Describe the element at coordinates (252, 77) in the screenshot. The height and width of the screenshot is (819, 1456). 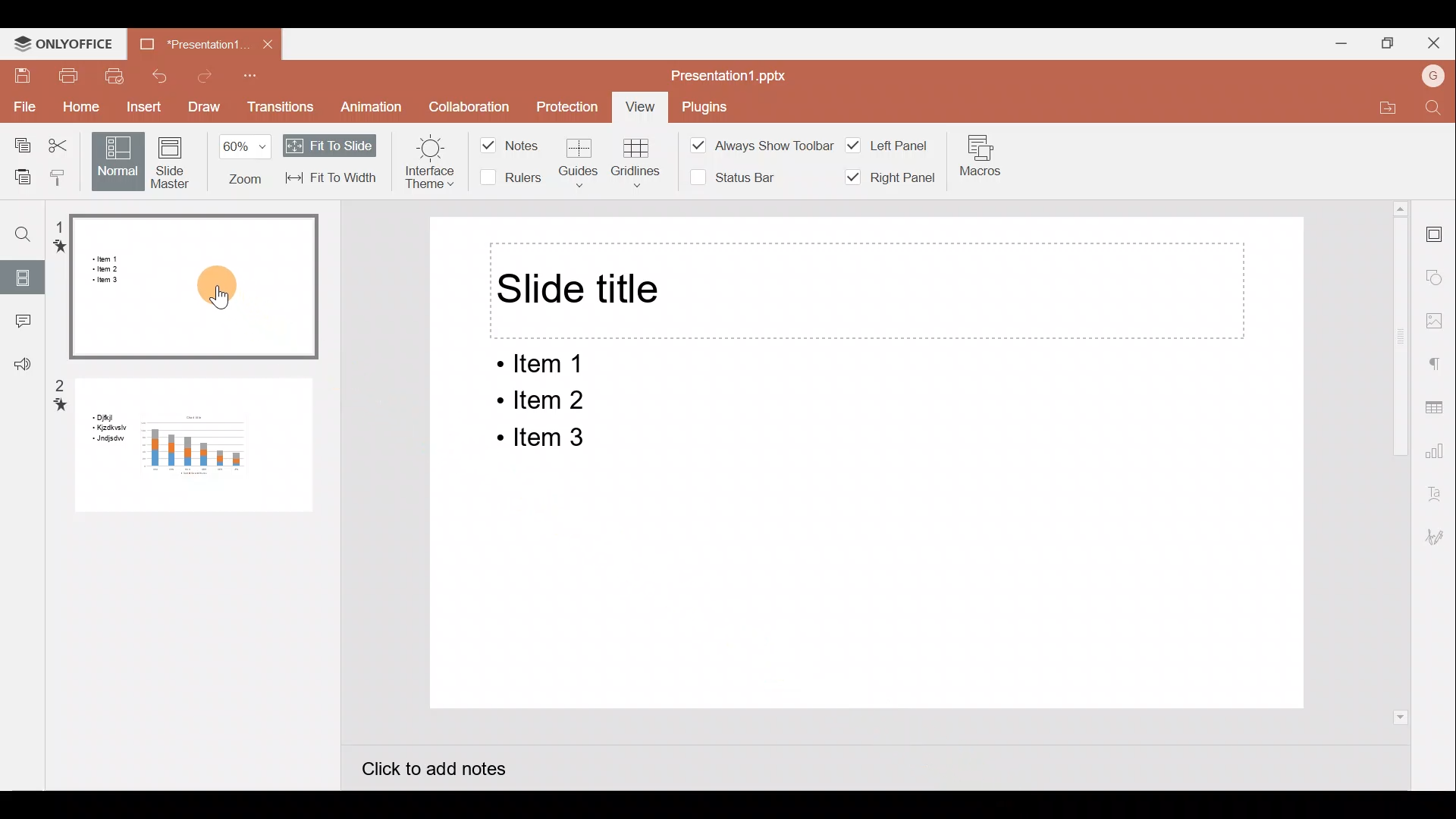
I see `Customize quick access toolbar` at that location.